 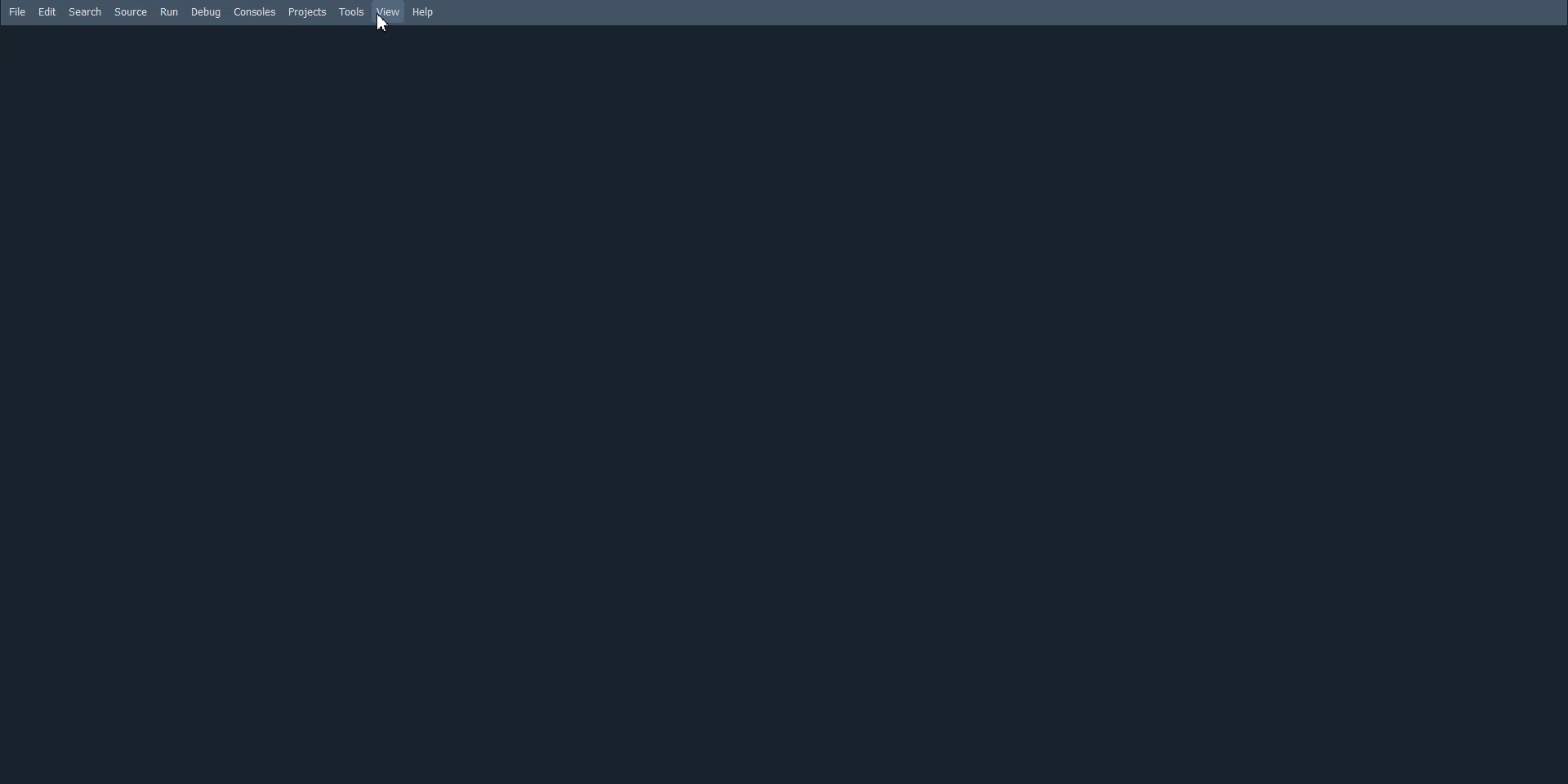 I want to click on Help, so click(x=425, y=13).